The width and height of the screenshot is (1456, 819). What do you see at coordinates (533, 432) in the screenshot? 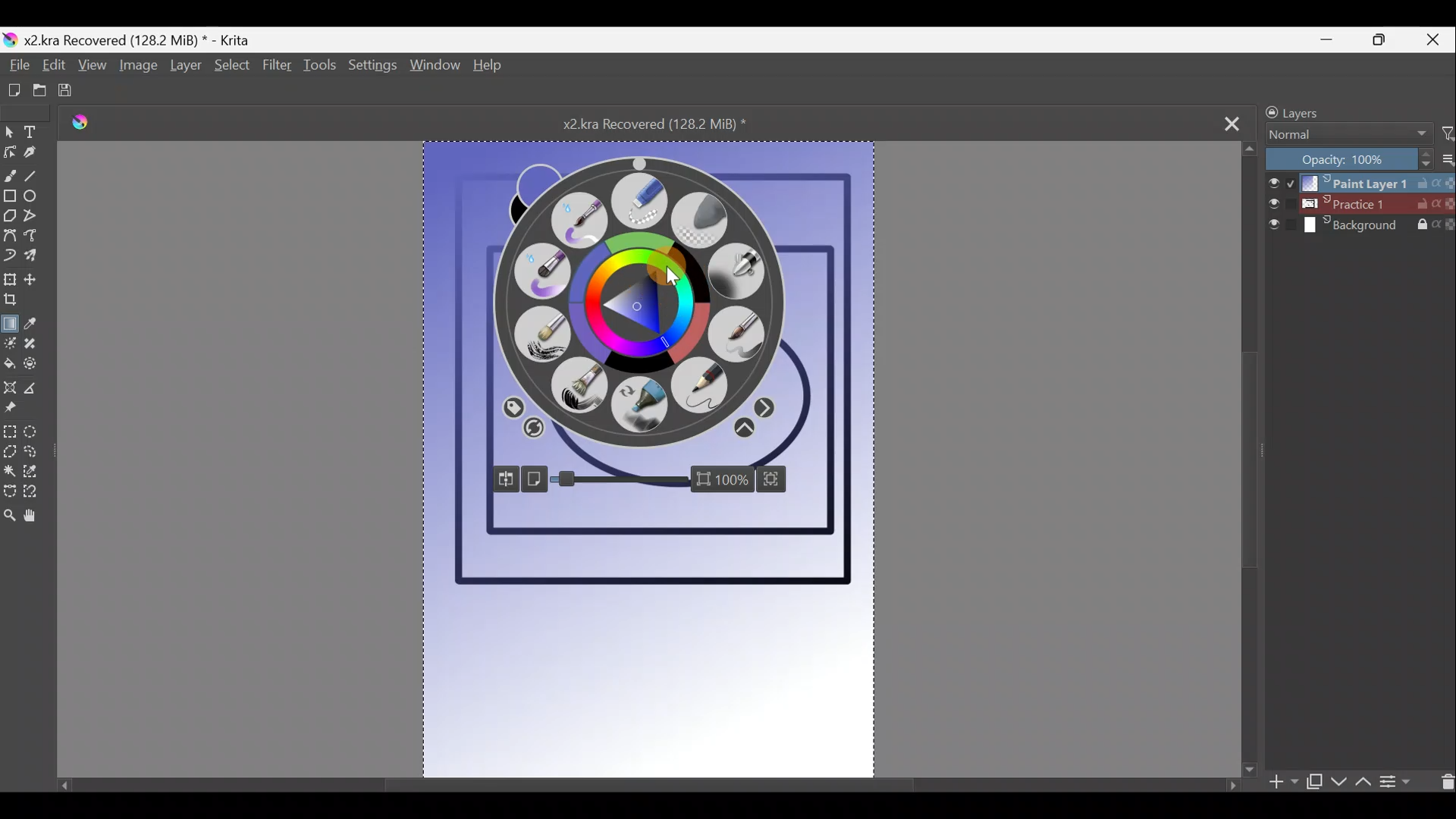
I see `Clear colour history` at bounding box center [533, 432].